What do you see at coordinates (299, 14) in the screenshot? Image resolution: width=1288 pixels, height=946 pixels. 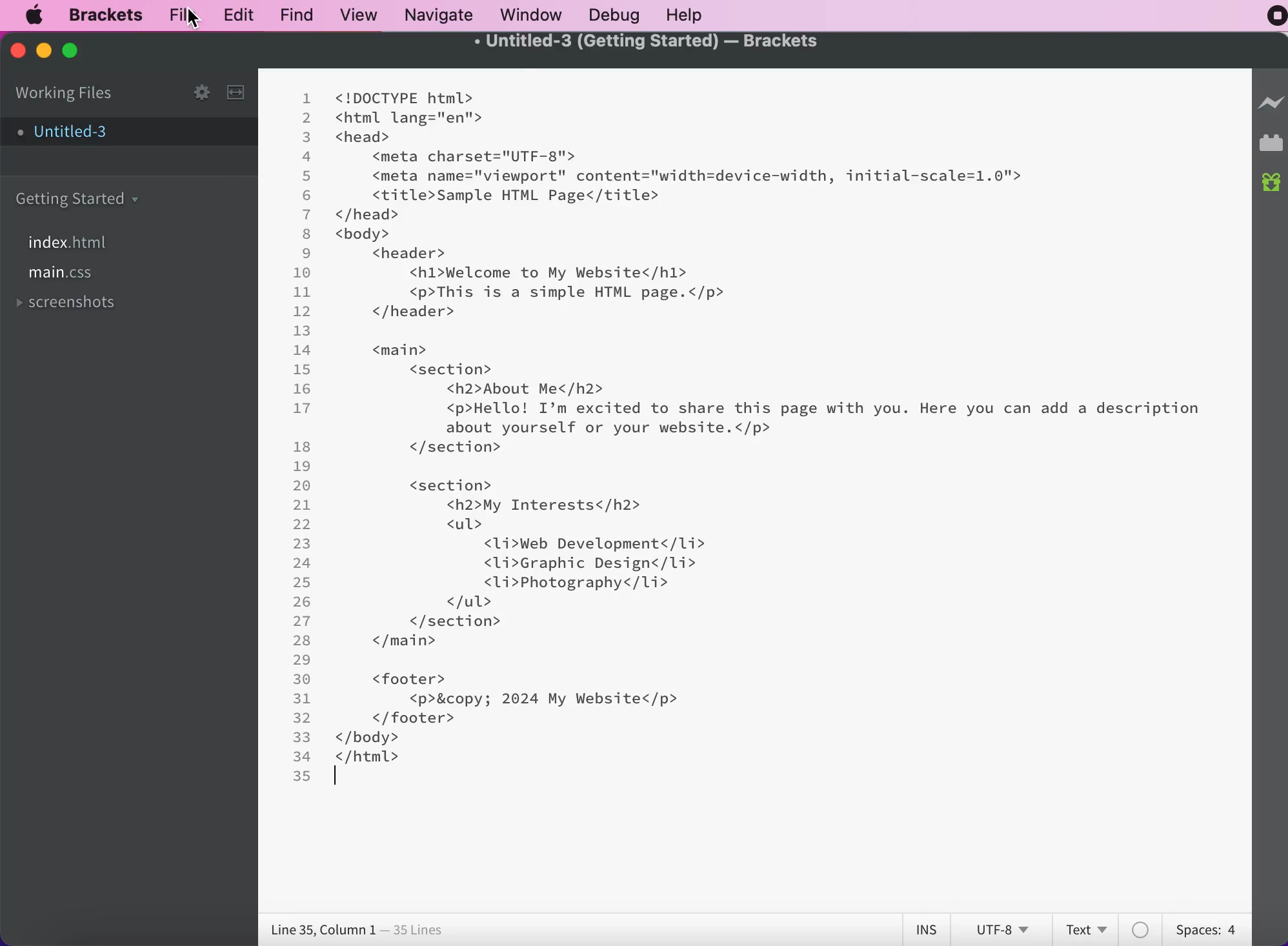 I see `find` at bounding box center [299, 14].